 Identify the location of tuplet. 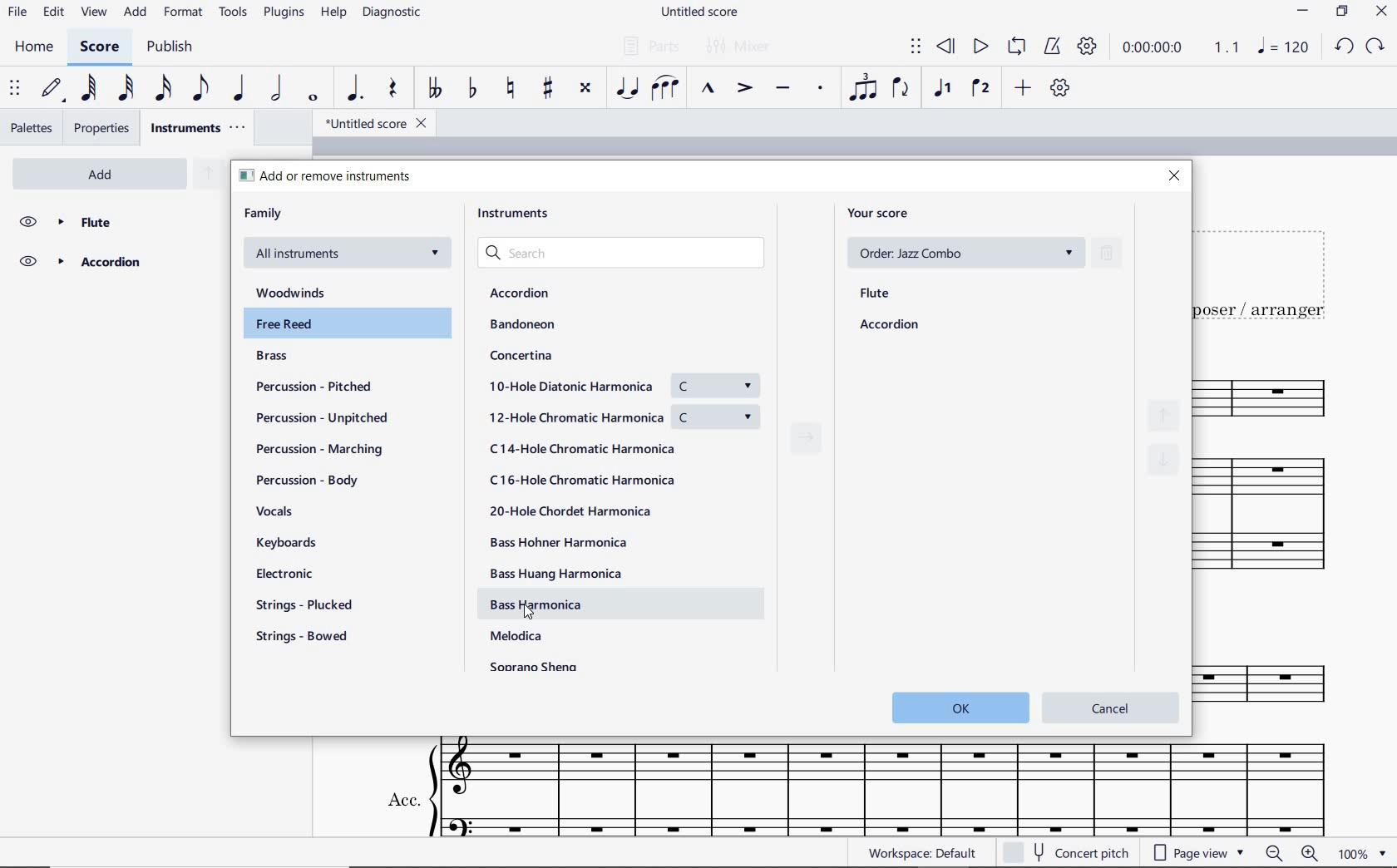
(864, 88).